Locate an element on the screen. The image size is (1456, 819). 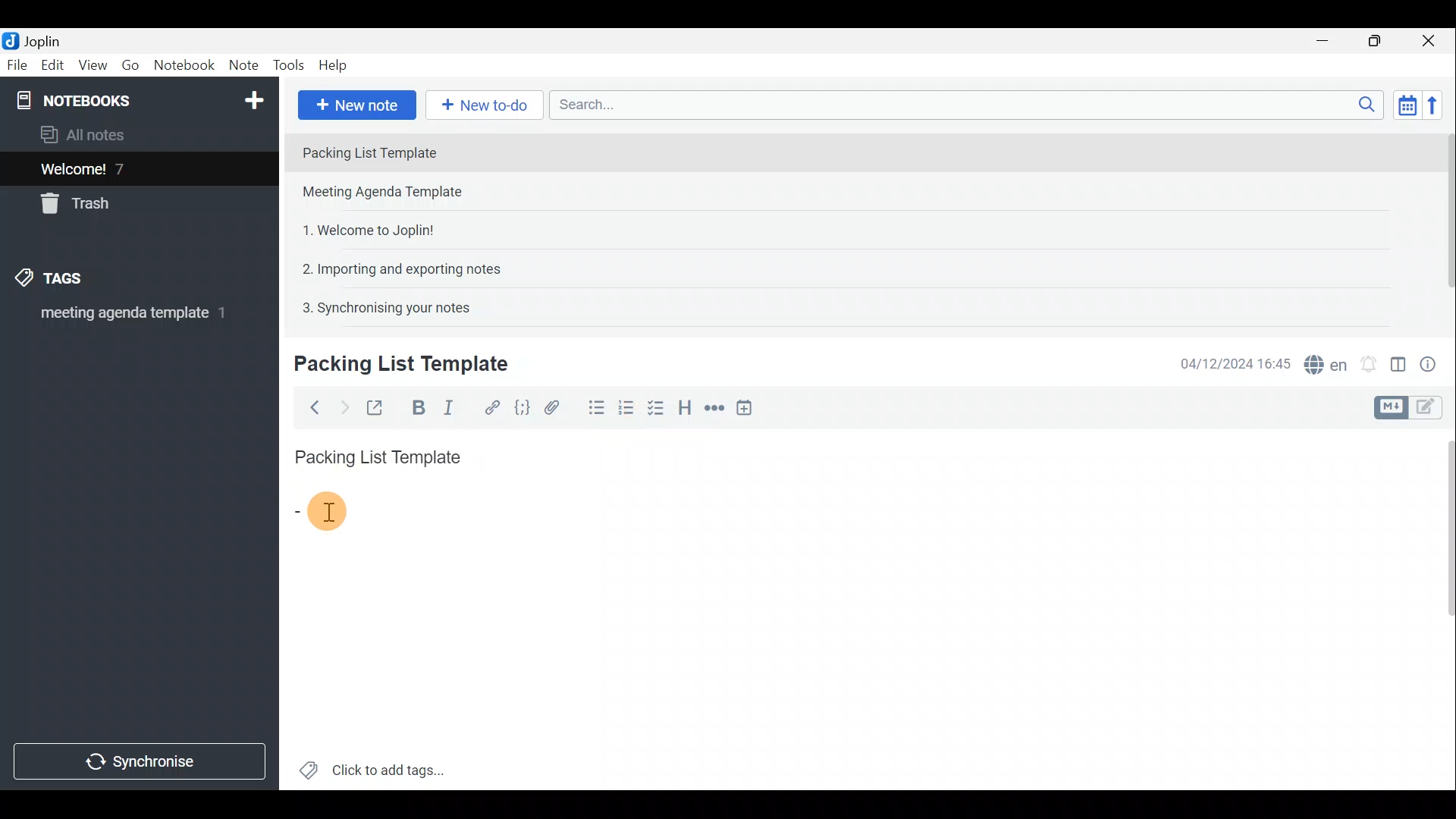
Back is located at coordinates (312, 407).